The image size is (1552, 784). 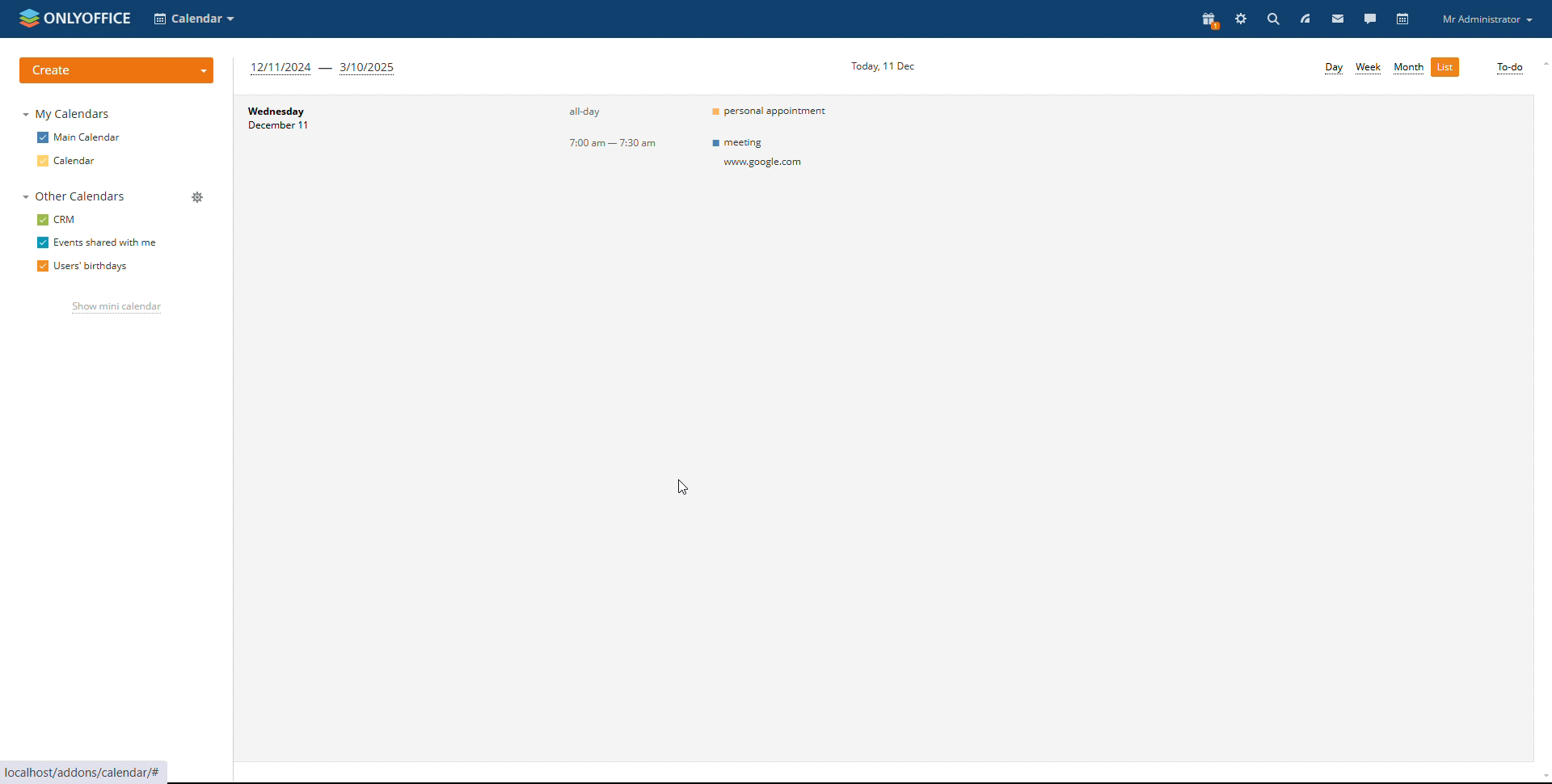 I want to click on to-do, so click(x=1508, y=68).